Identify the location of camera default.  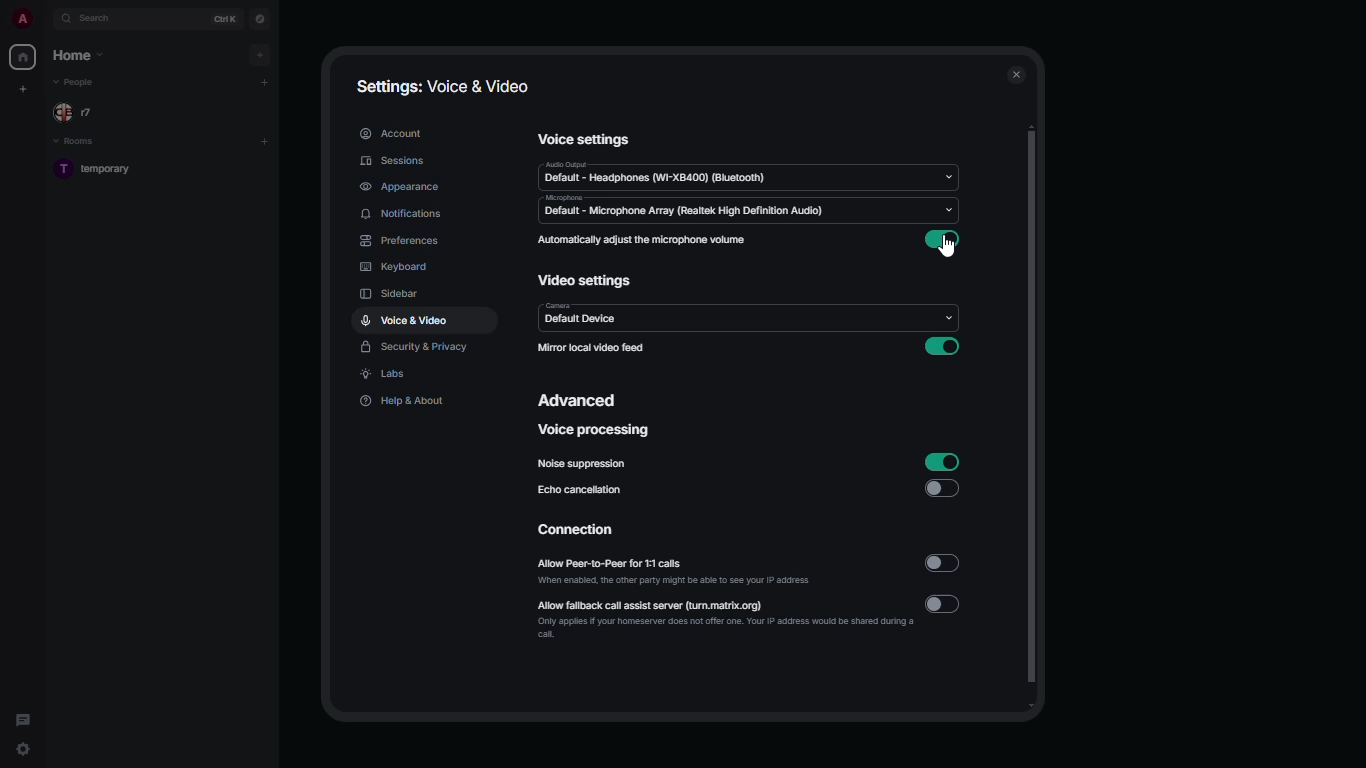
(583, 314).